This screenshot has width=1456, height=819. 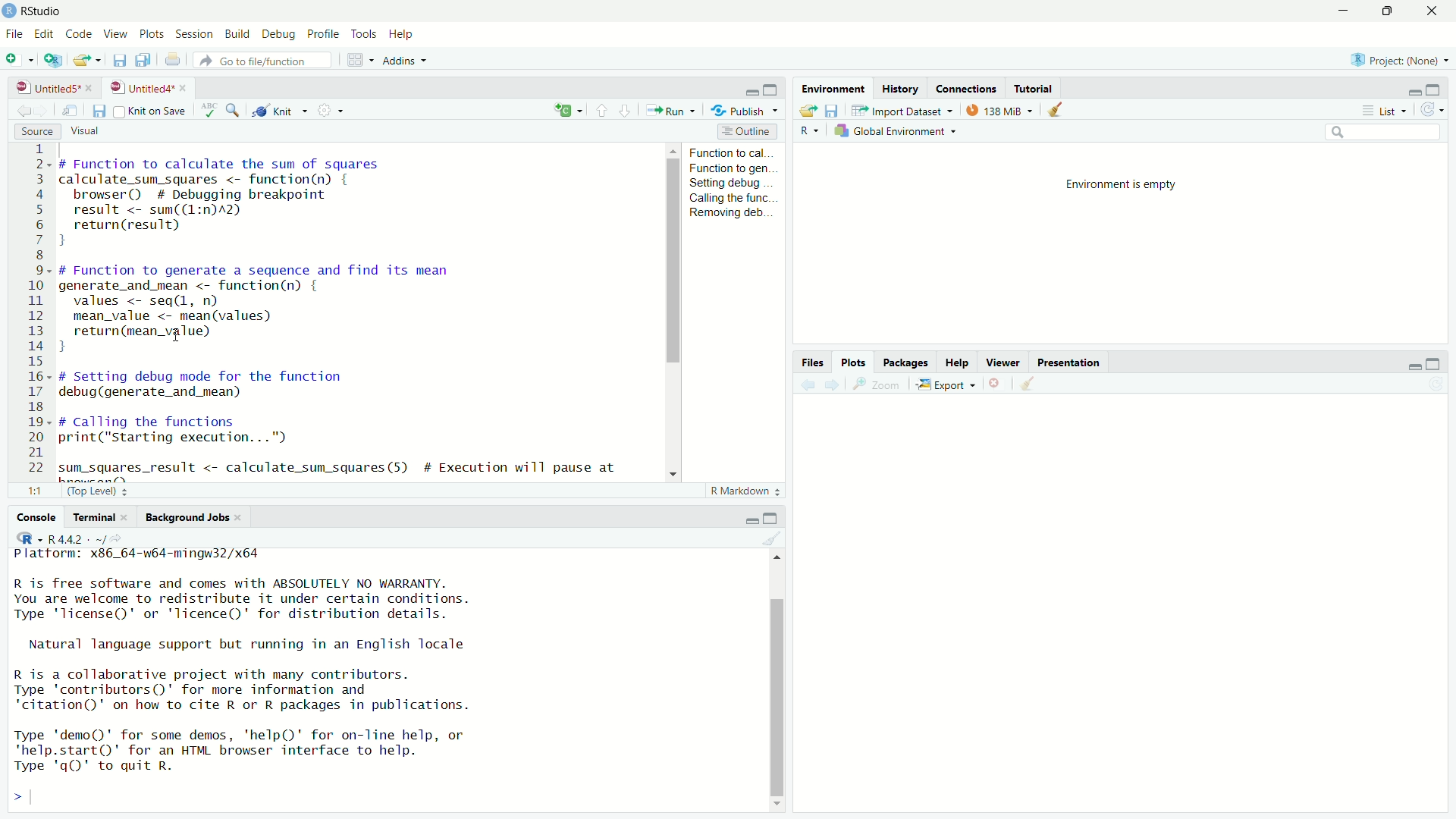 What do you see at coordinates (10, 11) in the screenshot?
I see `logo` at bounding box center [10, 11].